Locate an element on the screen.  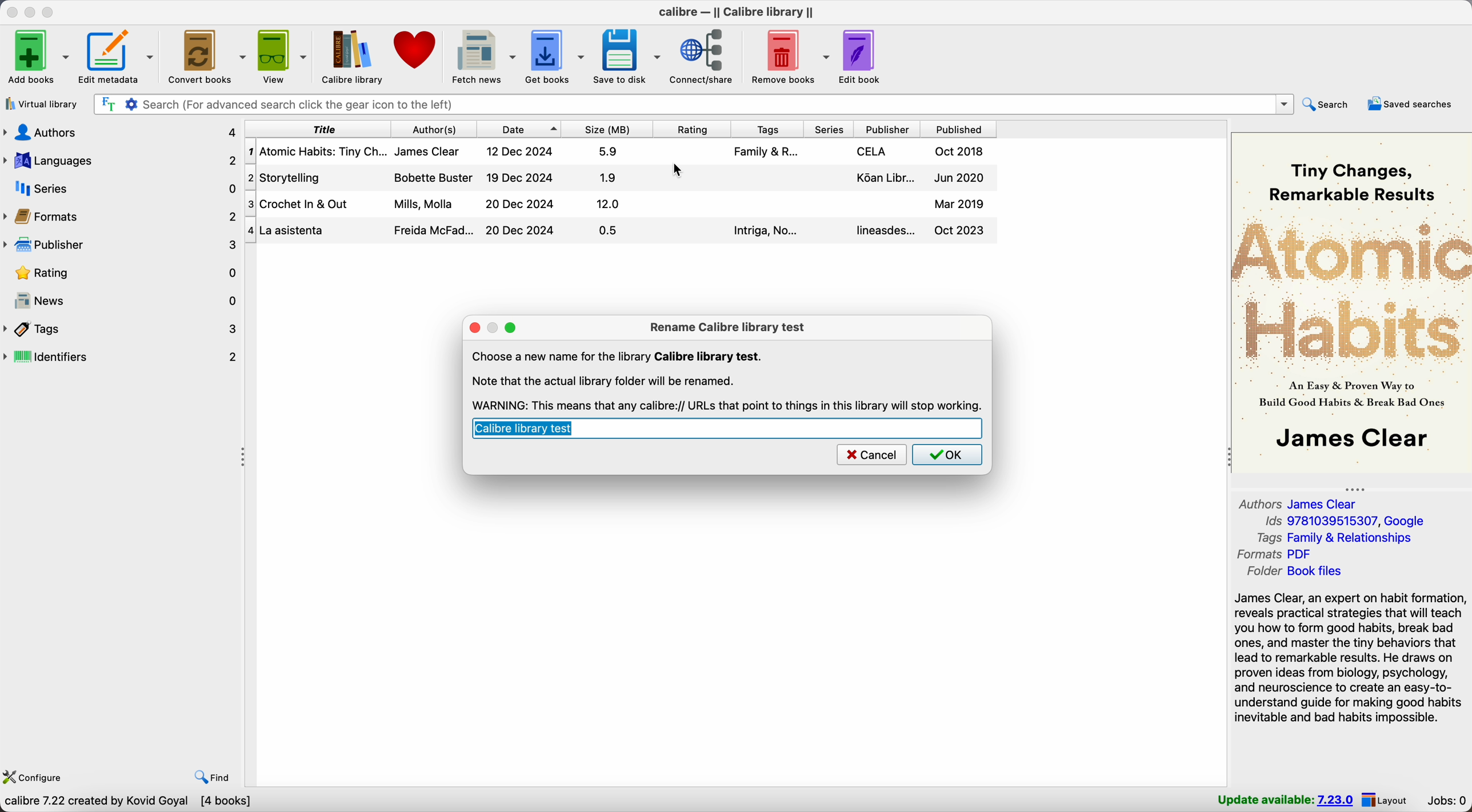
formats PDF is located at coordinates (1274, 554).